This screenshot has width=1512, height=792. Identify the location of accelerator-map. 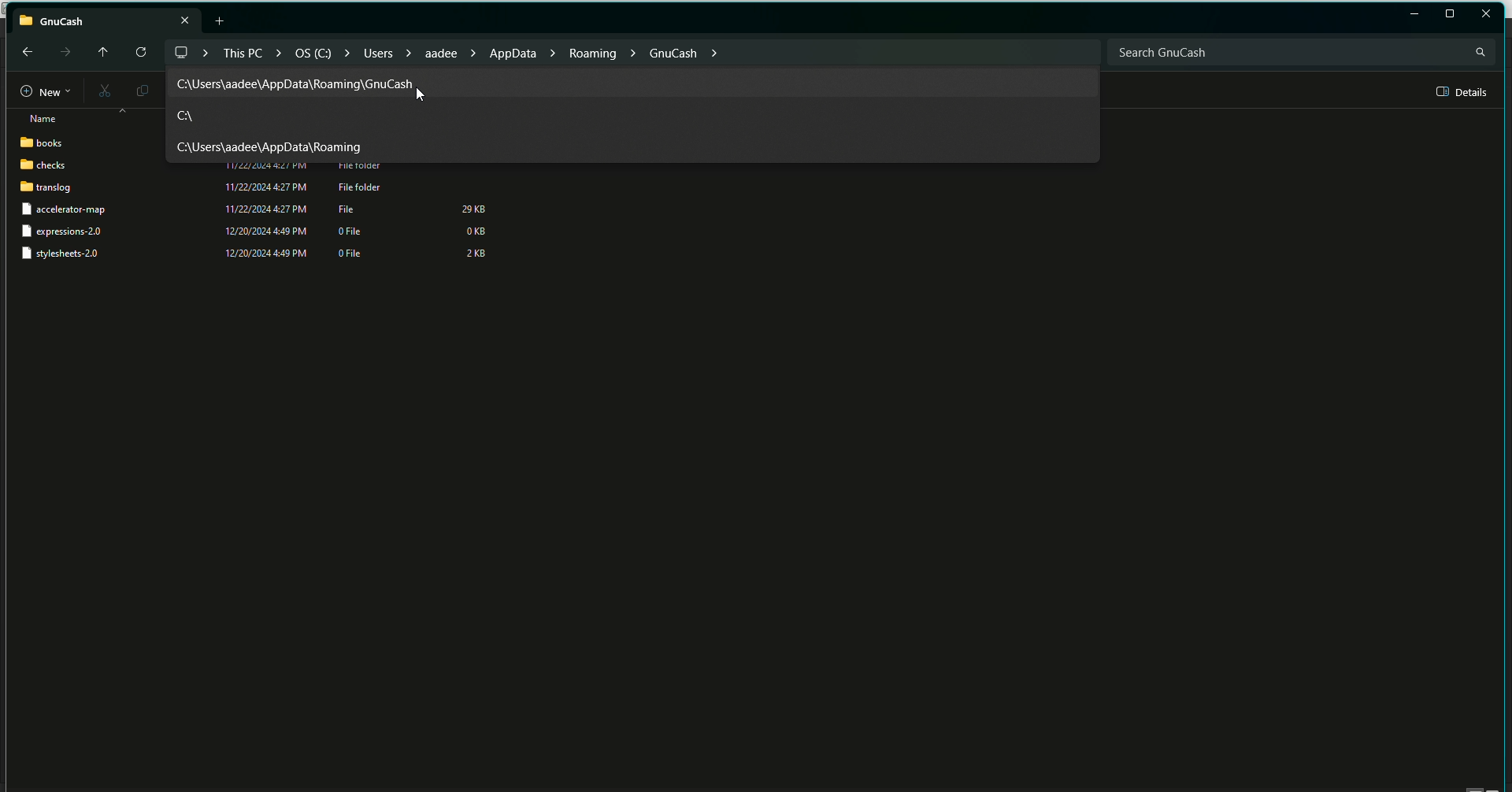
(76, 211).